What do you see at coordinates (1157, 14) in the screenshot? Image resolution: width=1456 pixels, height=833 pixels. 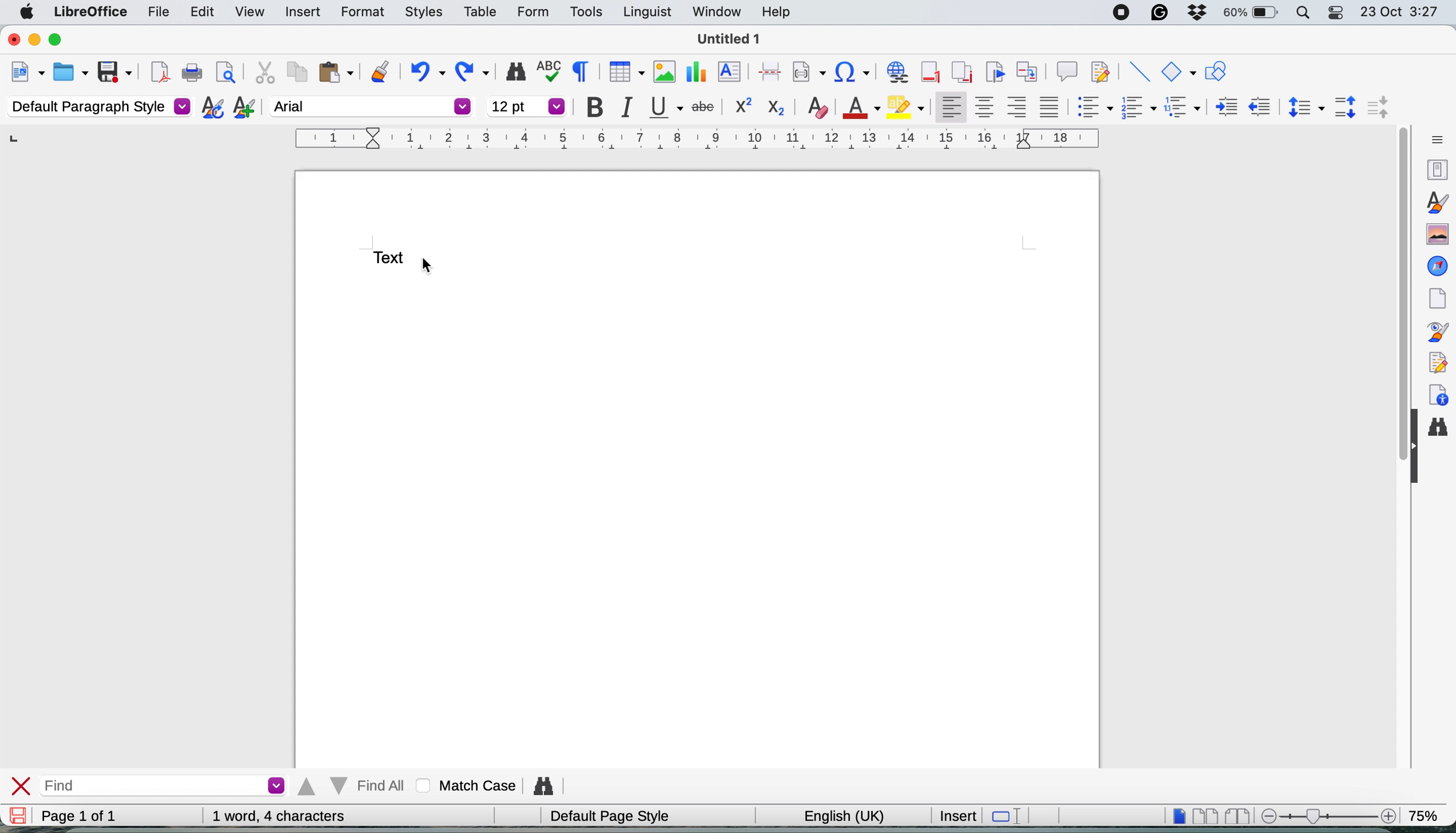 I see `grammarly` at bounding box center [1157, 14].